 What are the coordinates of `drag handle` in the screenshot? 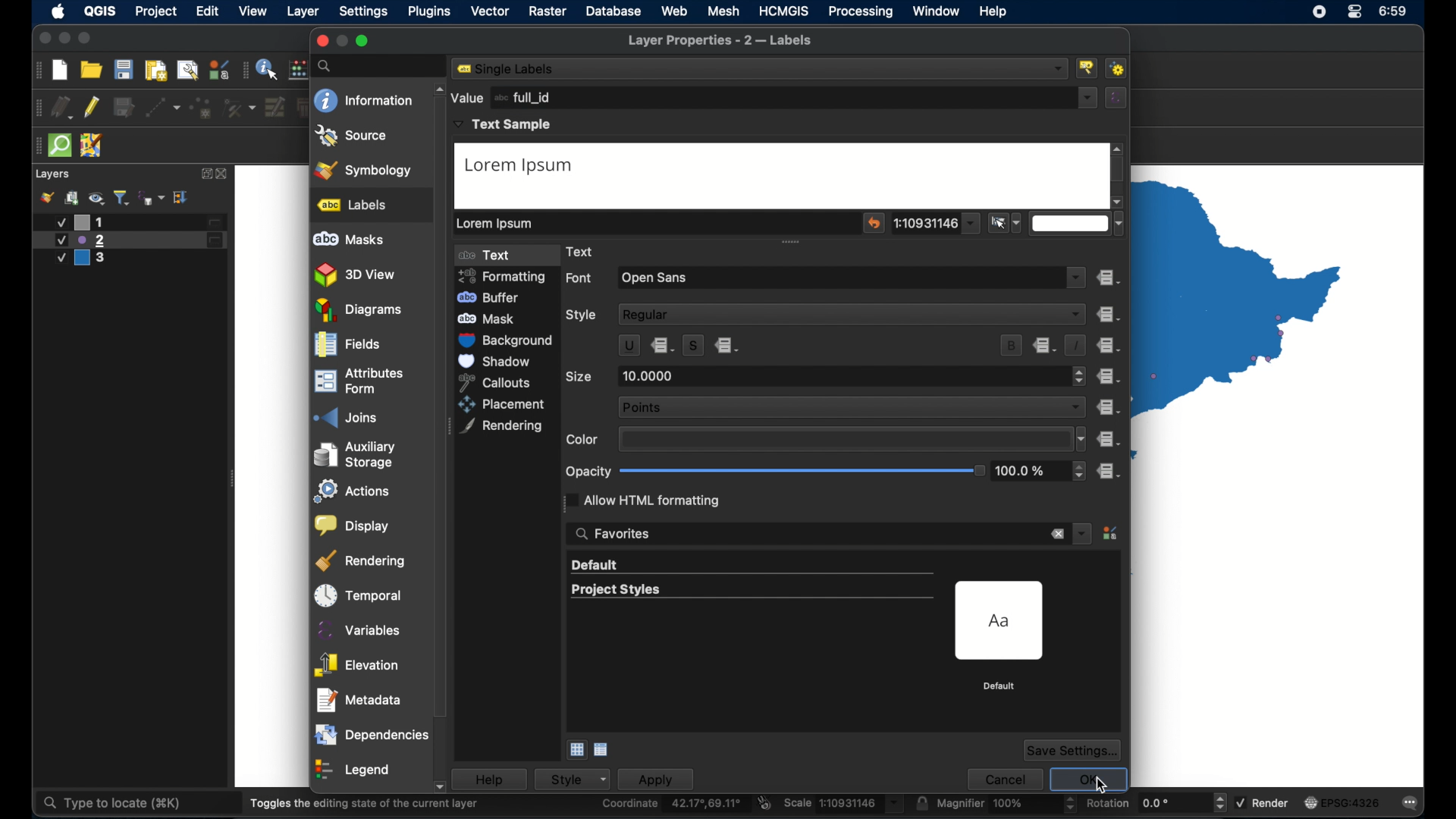 It's located at (36, 146).